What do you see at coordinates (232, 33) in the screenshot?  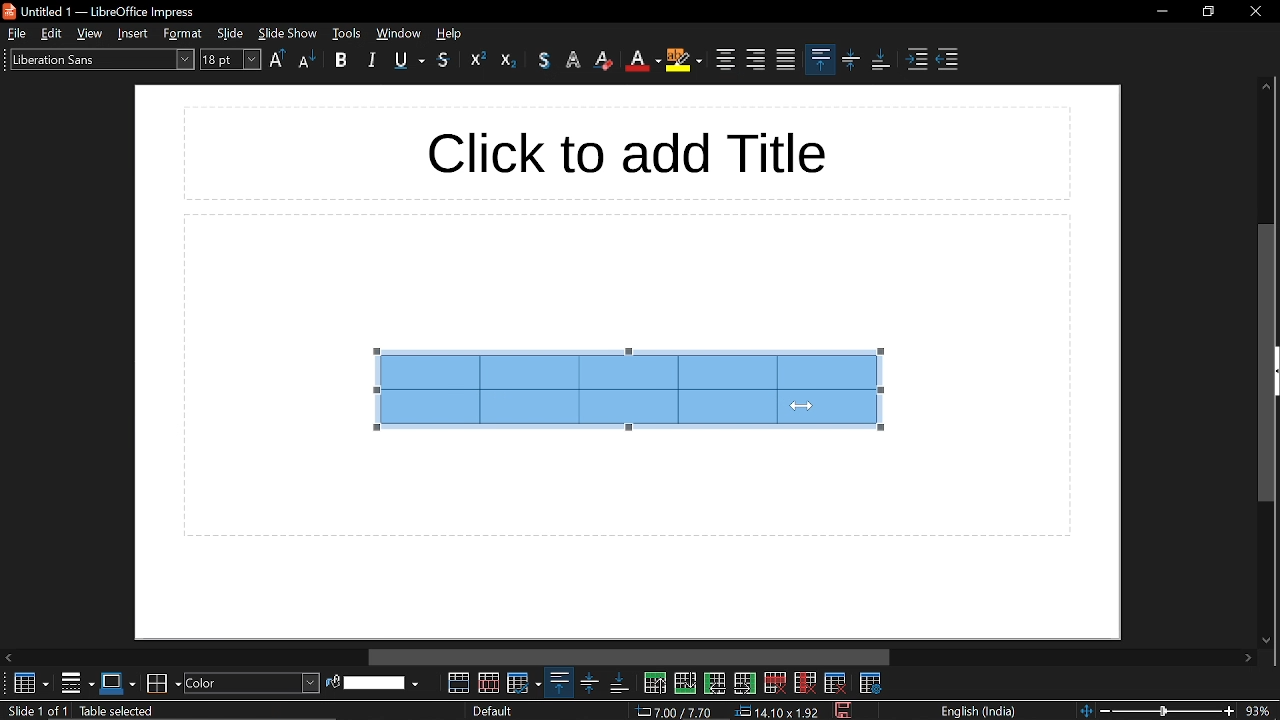 I see `slide` at bounding box center [232, 33].